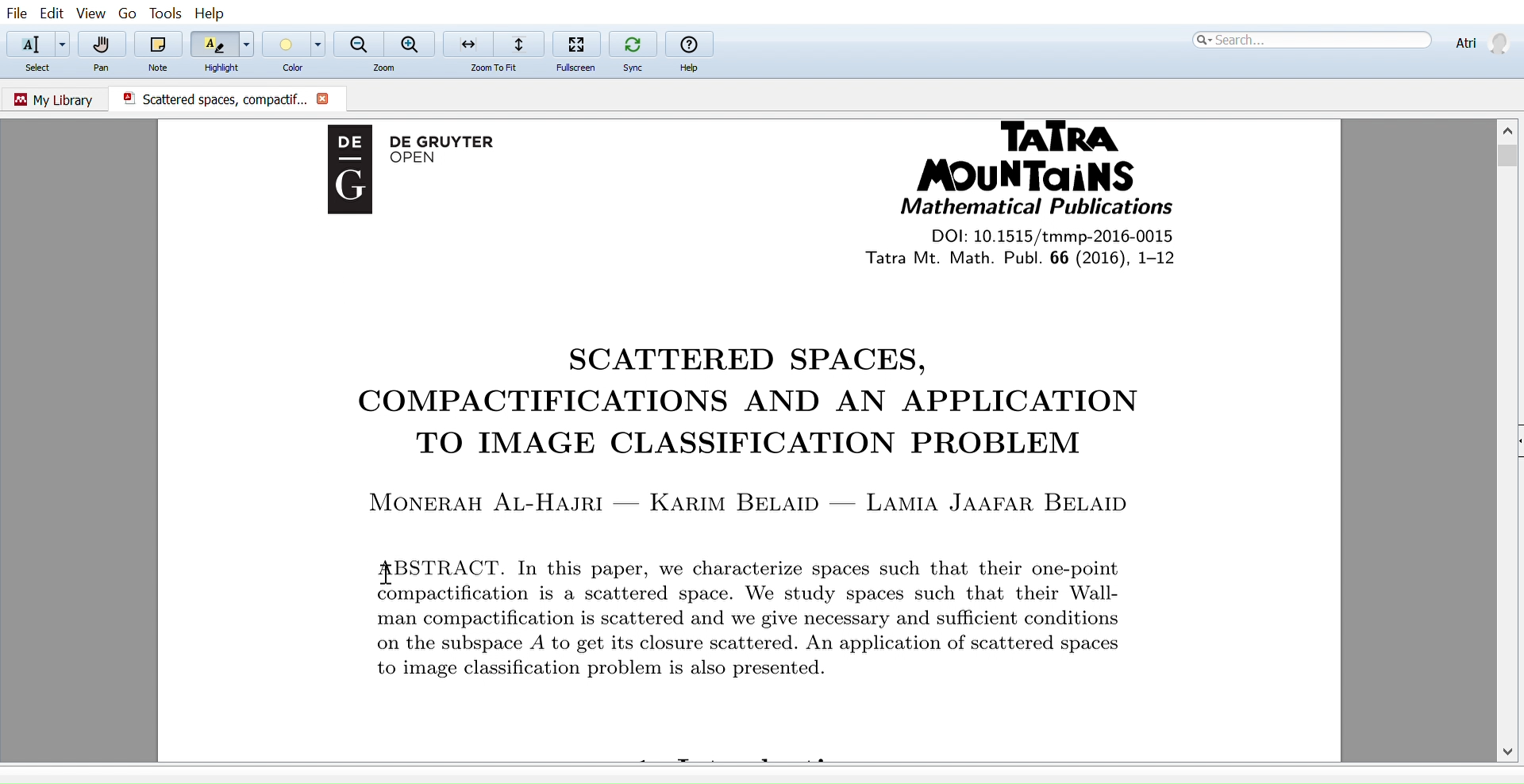 This screenshot has width=1524, height=784. I want to click on Sync, so click(633, 42).